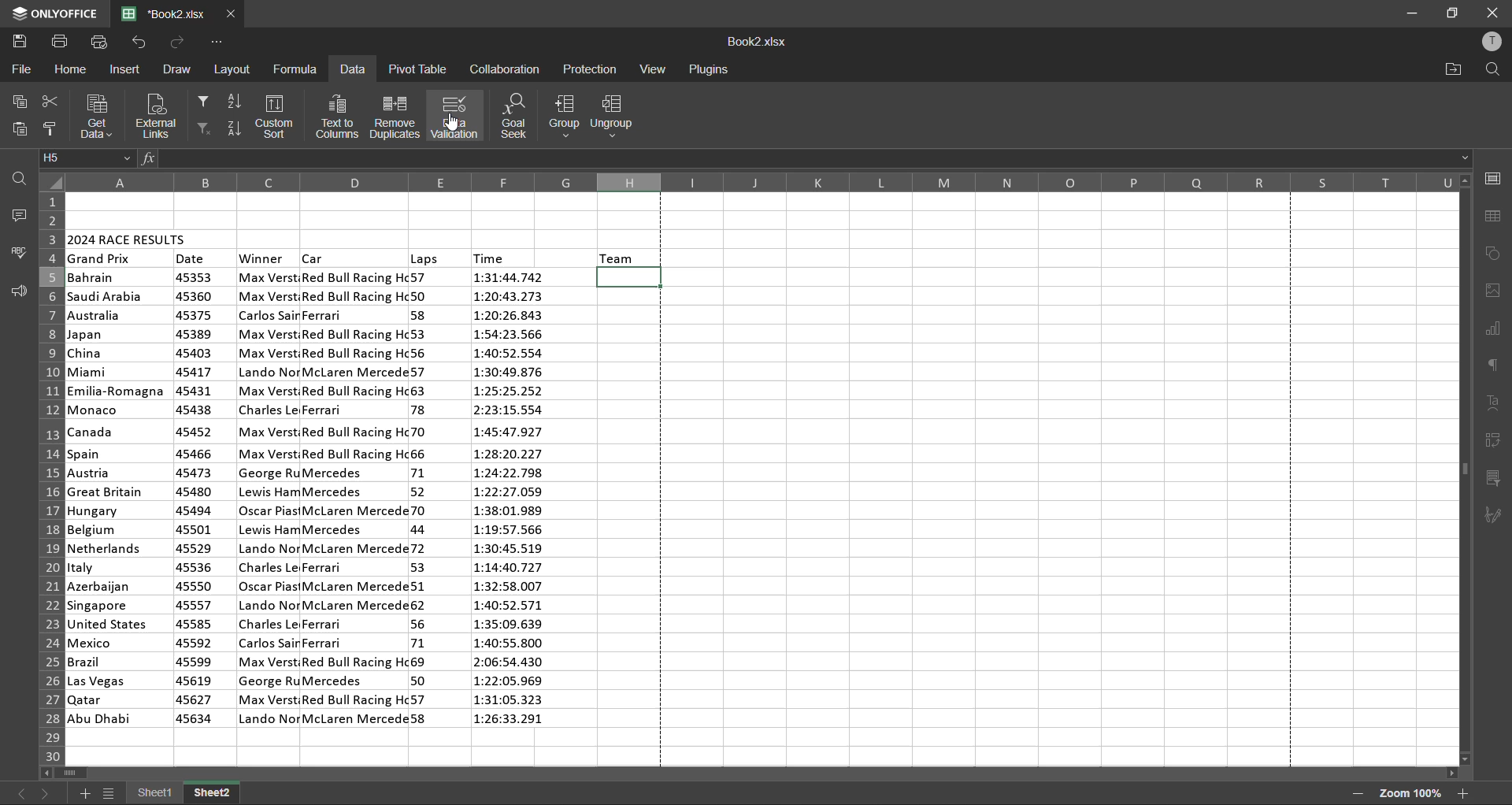  I want to click on copy, so click(18, 103).